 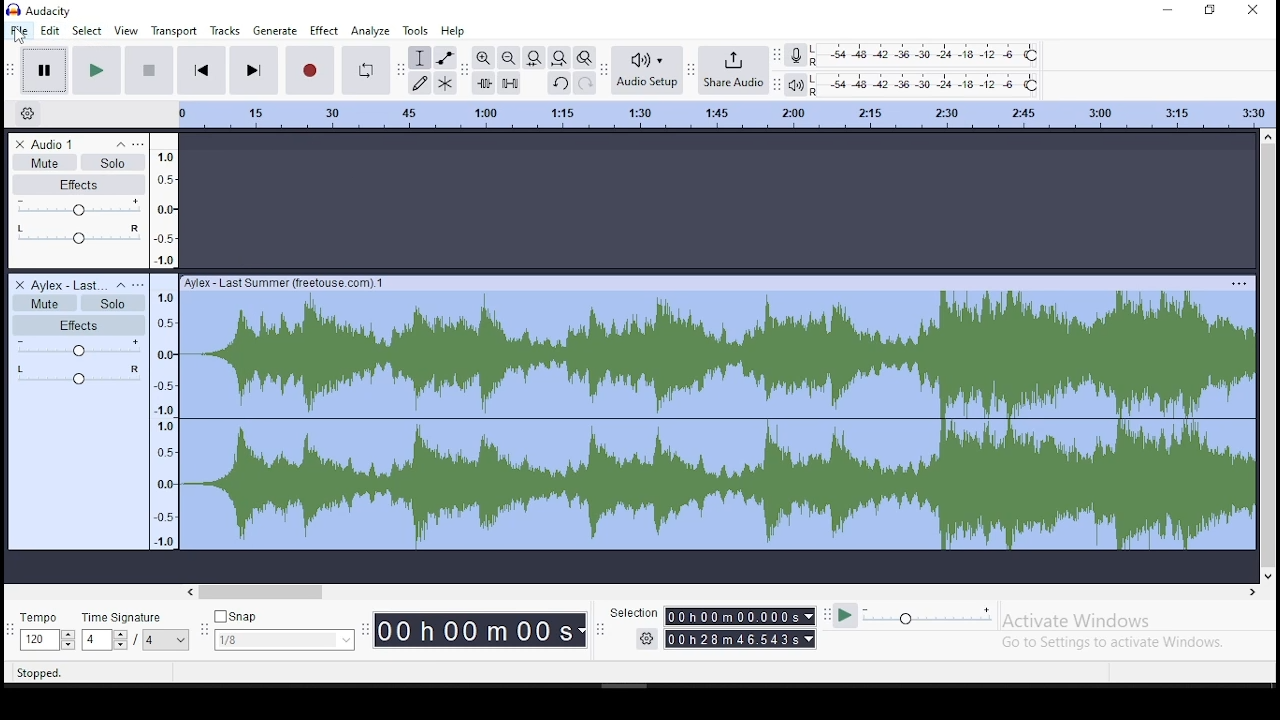 What do you see at coordinates (70, 144) in the screenshot?
I see `audio track name` at bounding box center [70, 144].